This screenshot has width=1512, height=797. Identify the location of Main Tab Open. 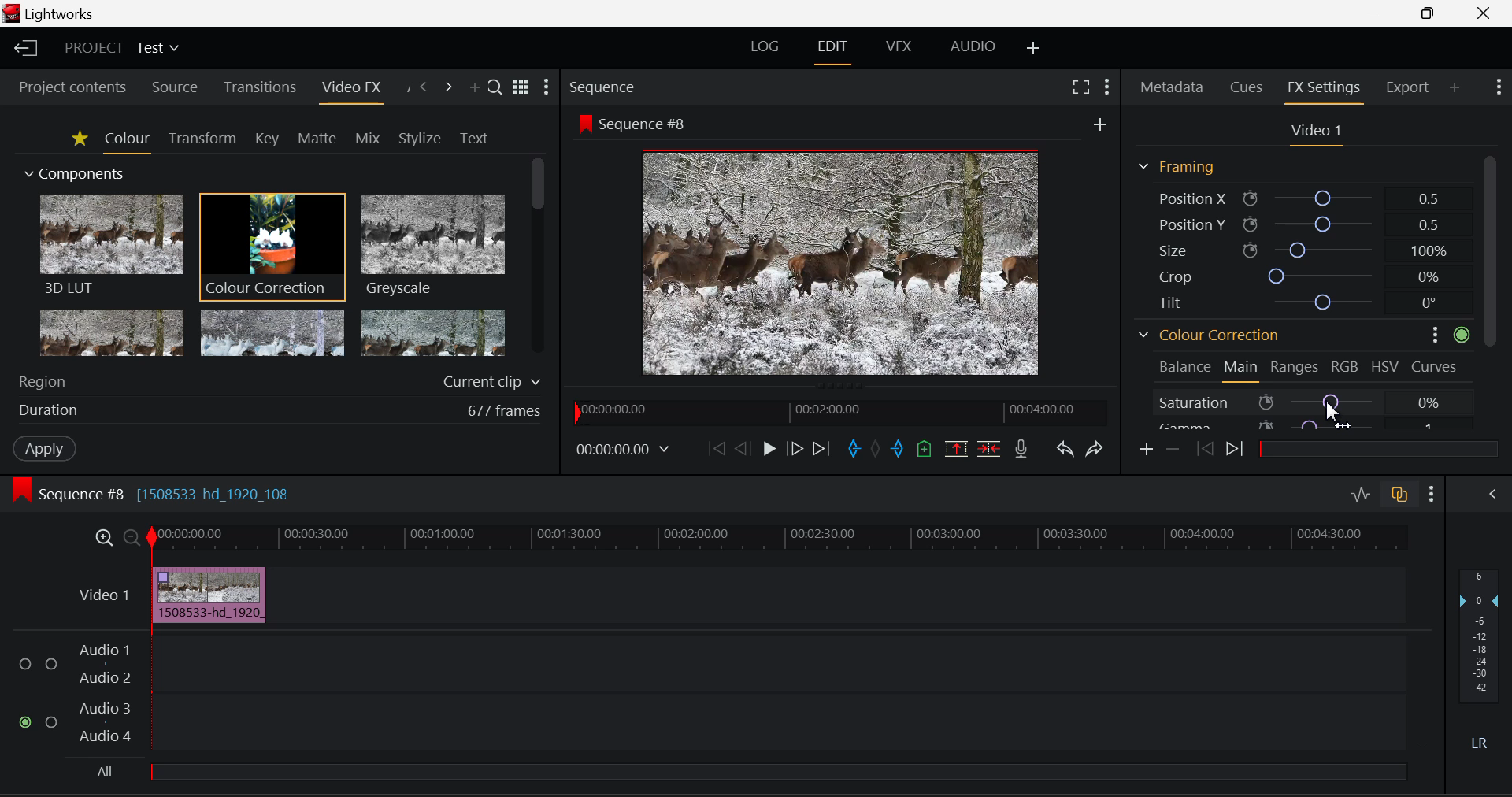
(1242, 370).